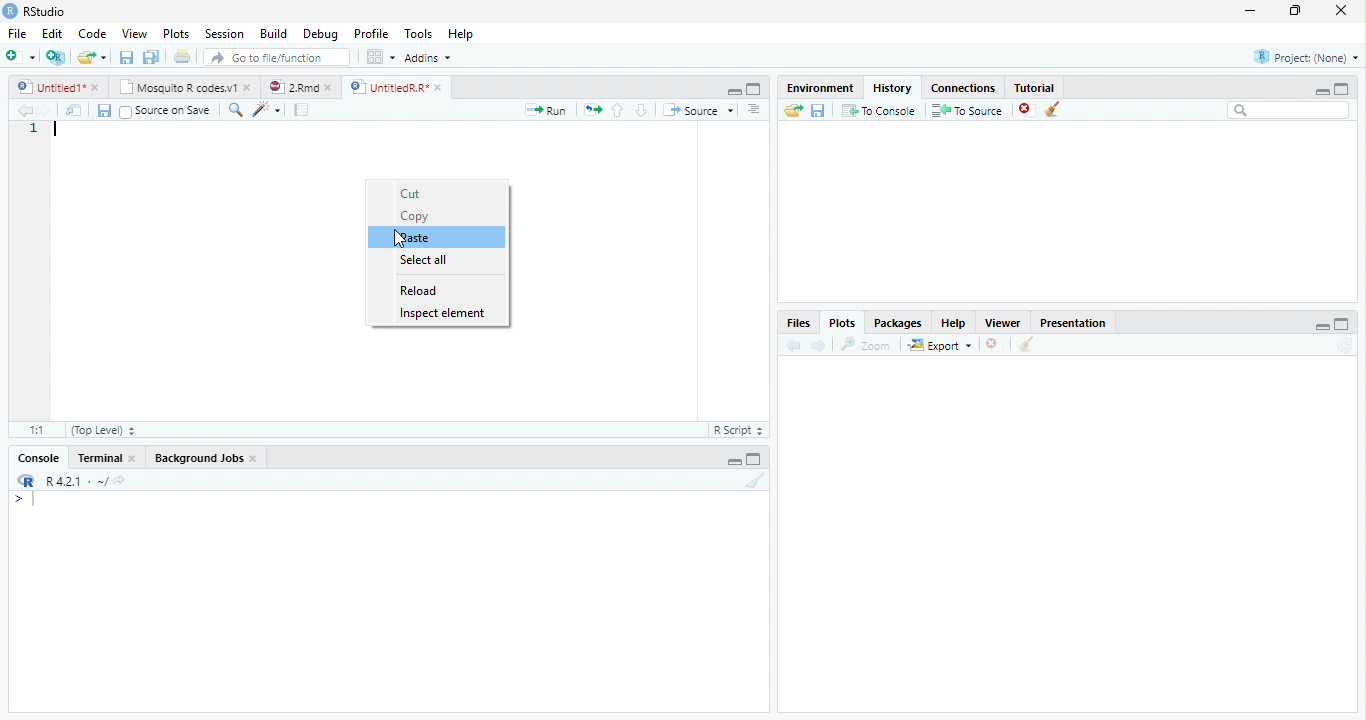 The image size is (1366, 720). Describe the element at coordinates (939, 346) in the screenshot. I see `export` at that location.